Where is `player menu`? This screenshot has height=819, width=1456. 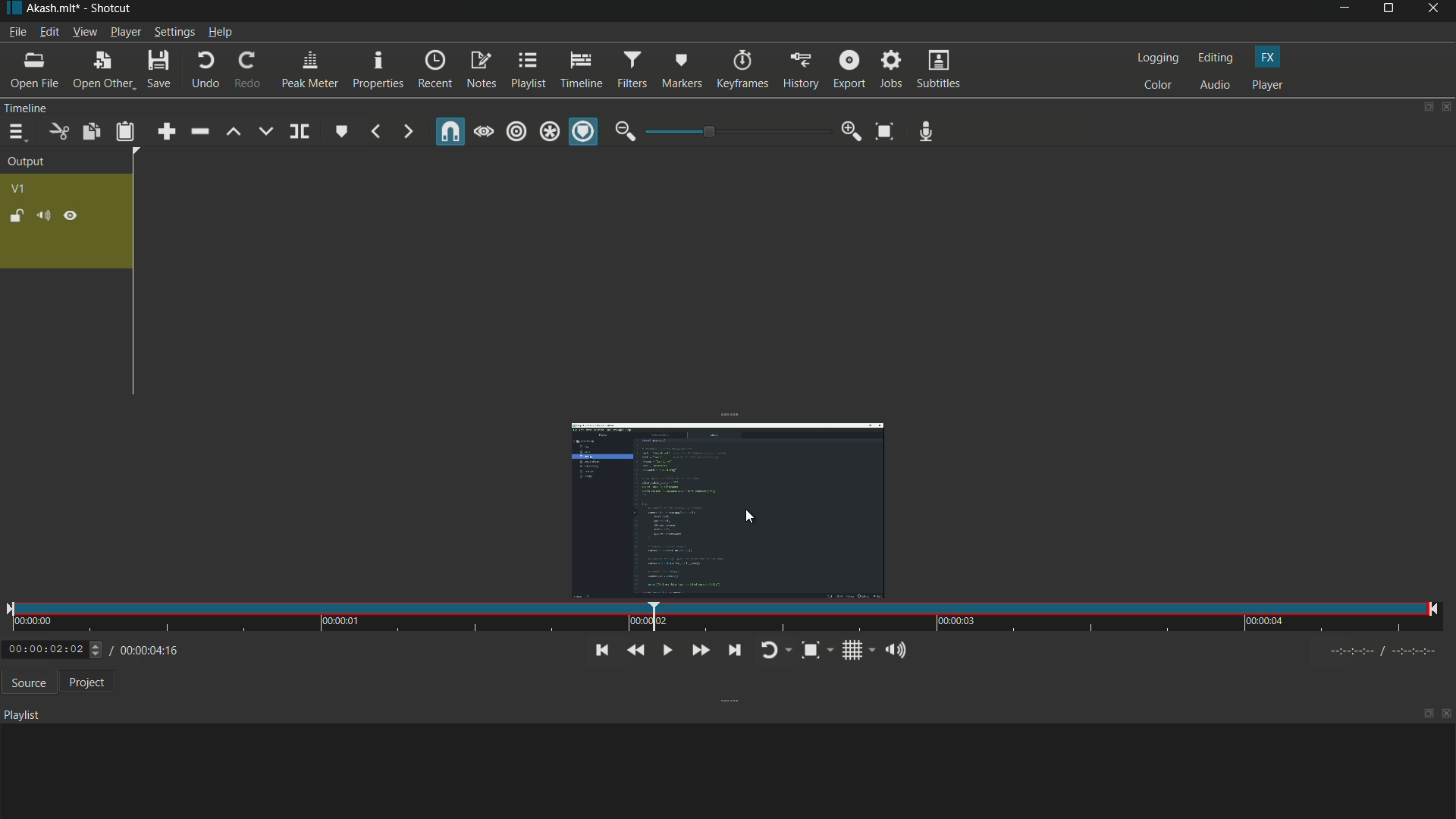 player menu is located at coordinates (126, 31).